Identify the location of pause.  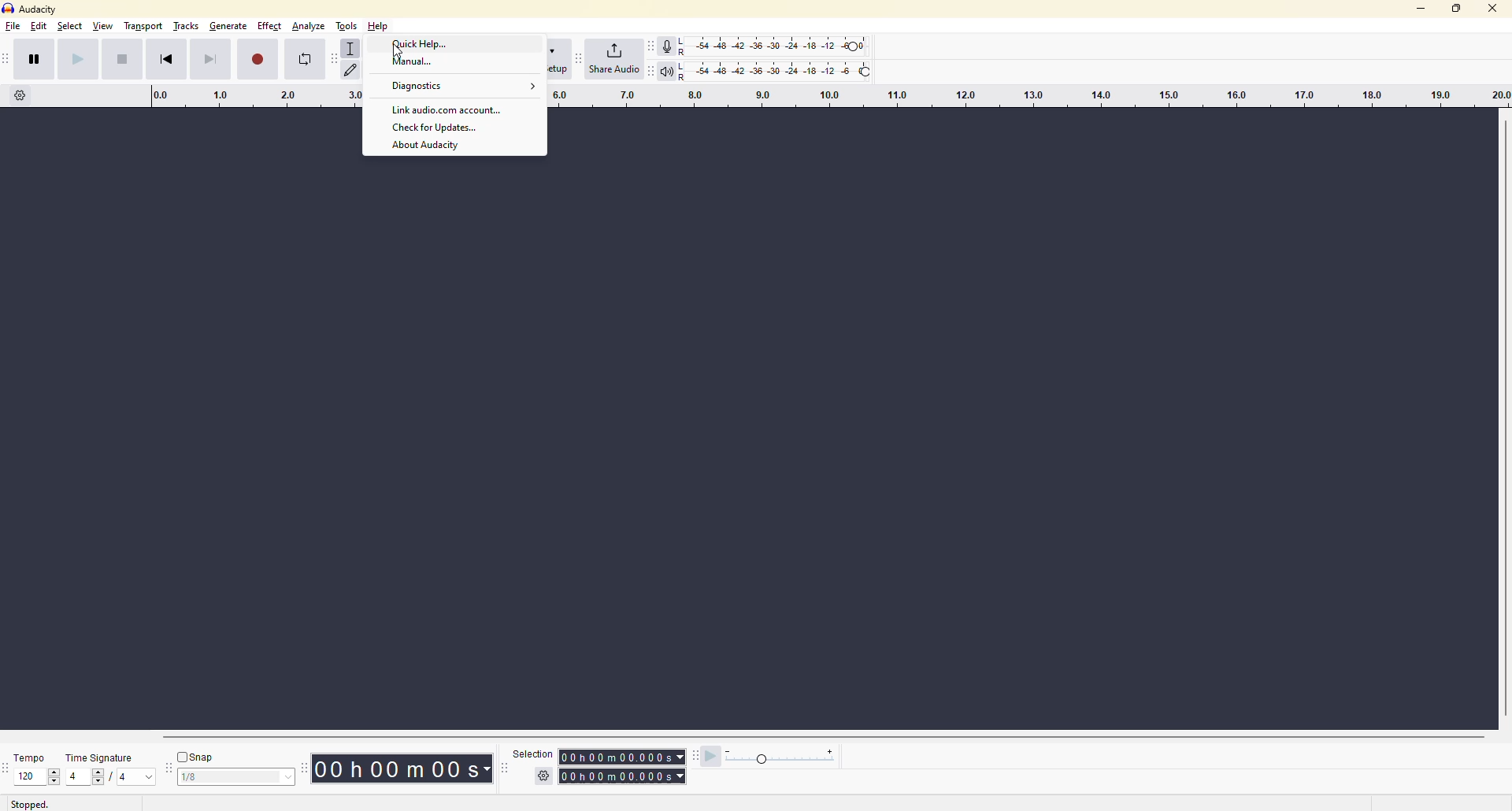
(35, 58).